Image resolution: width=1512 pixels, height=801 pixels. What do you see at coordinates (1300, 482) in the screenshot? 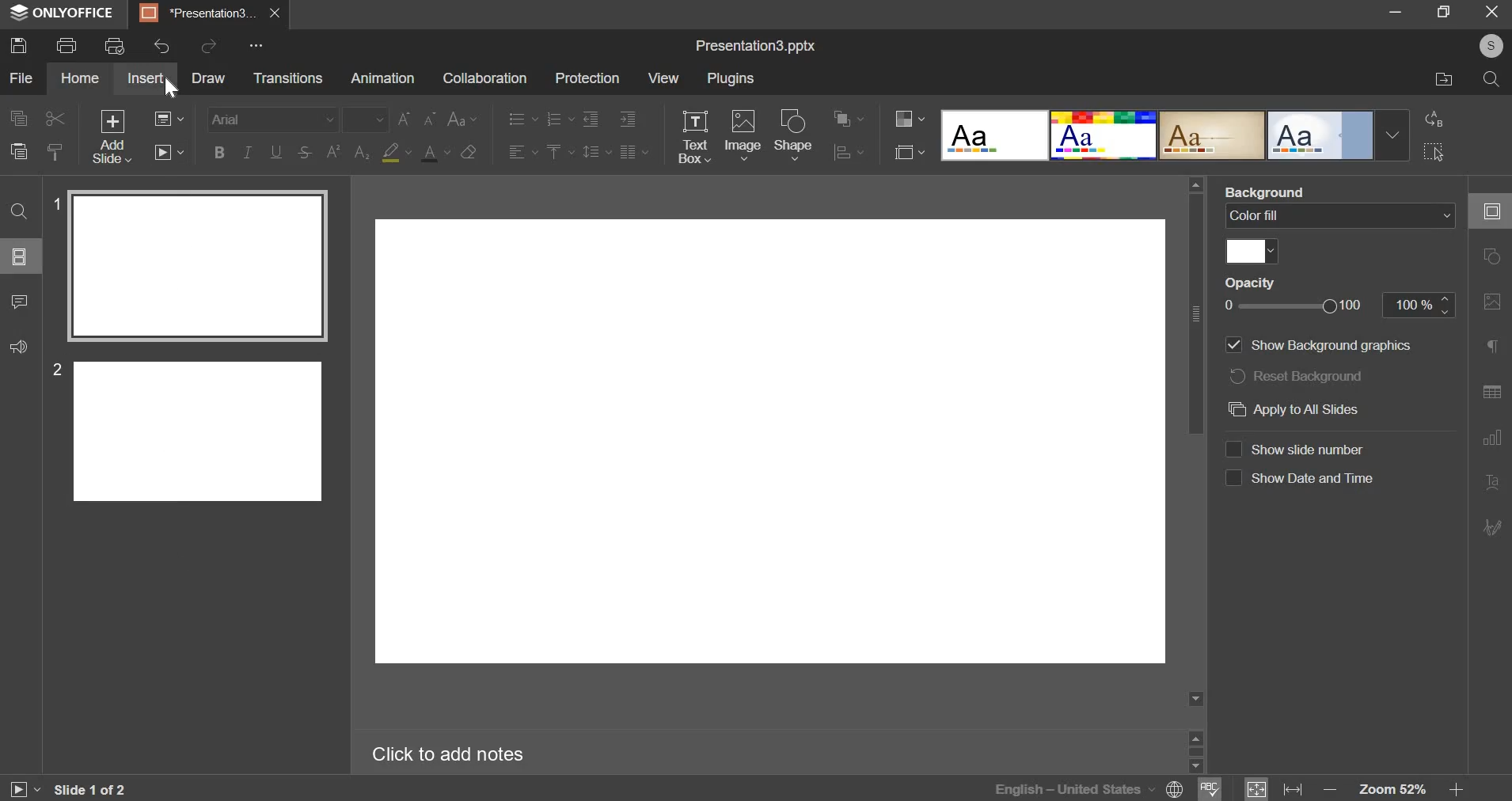
I see `Slide date and time` at bounding box center [1300, 482].